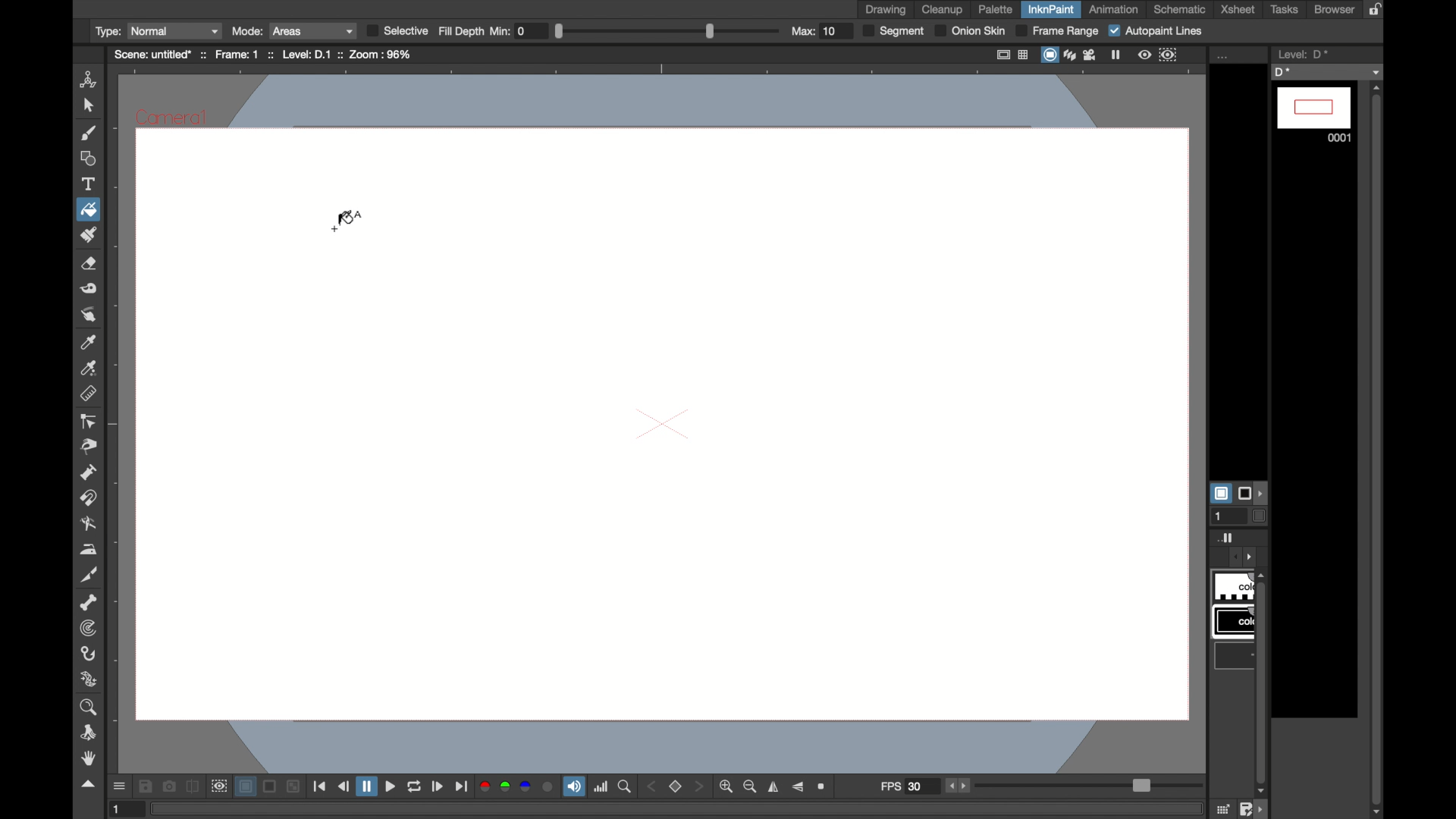 The width and height of the screenshot is (1456, 819). I want to click on stepper buttons, so click(959, 786).